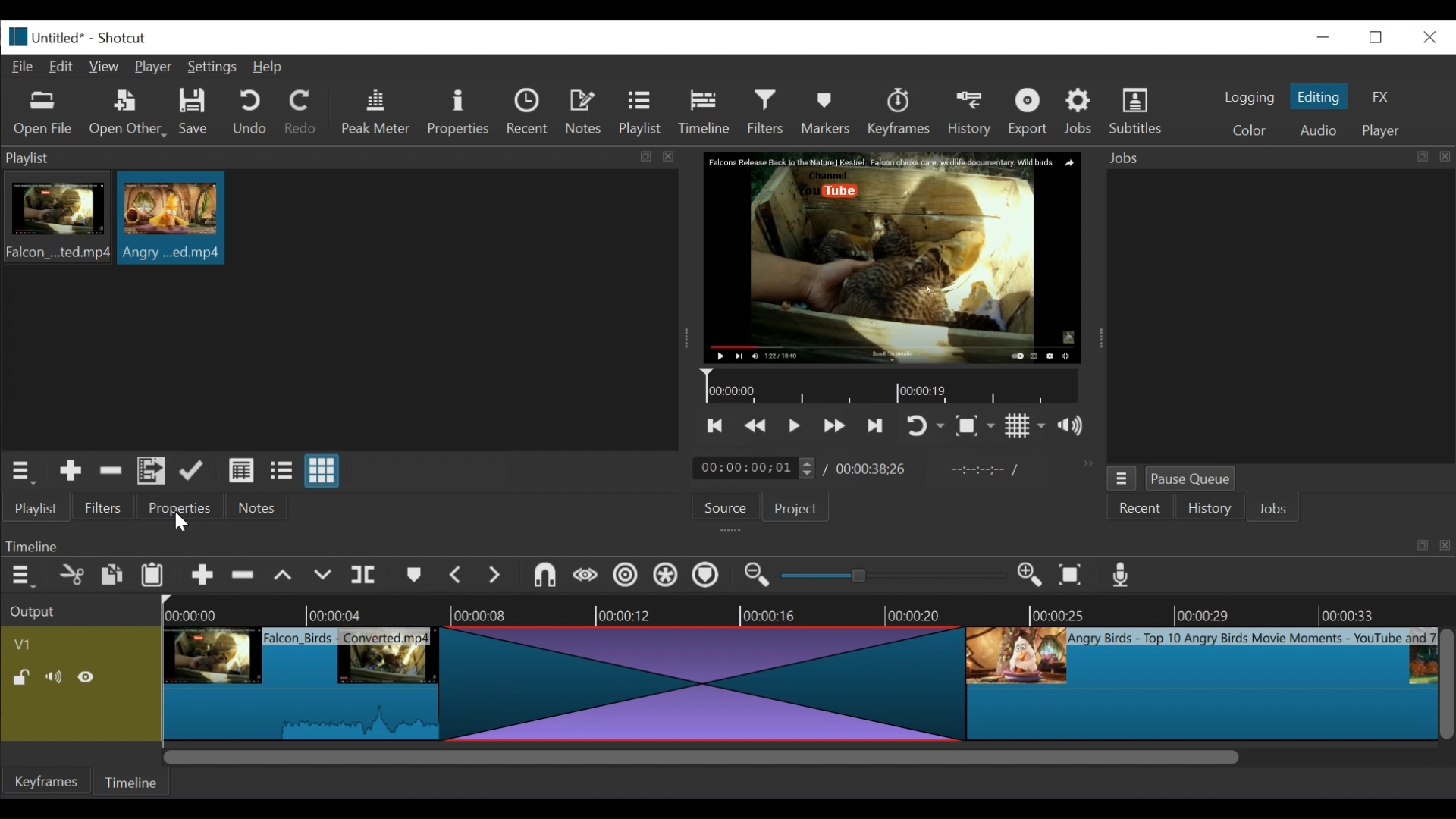 This screenshot has height=819, width=1456. I want to click on clip, so click(1202, 686).